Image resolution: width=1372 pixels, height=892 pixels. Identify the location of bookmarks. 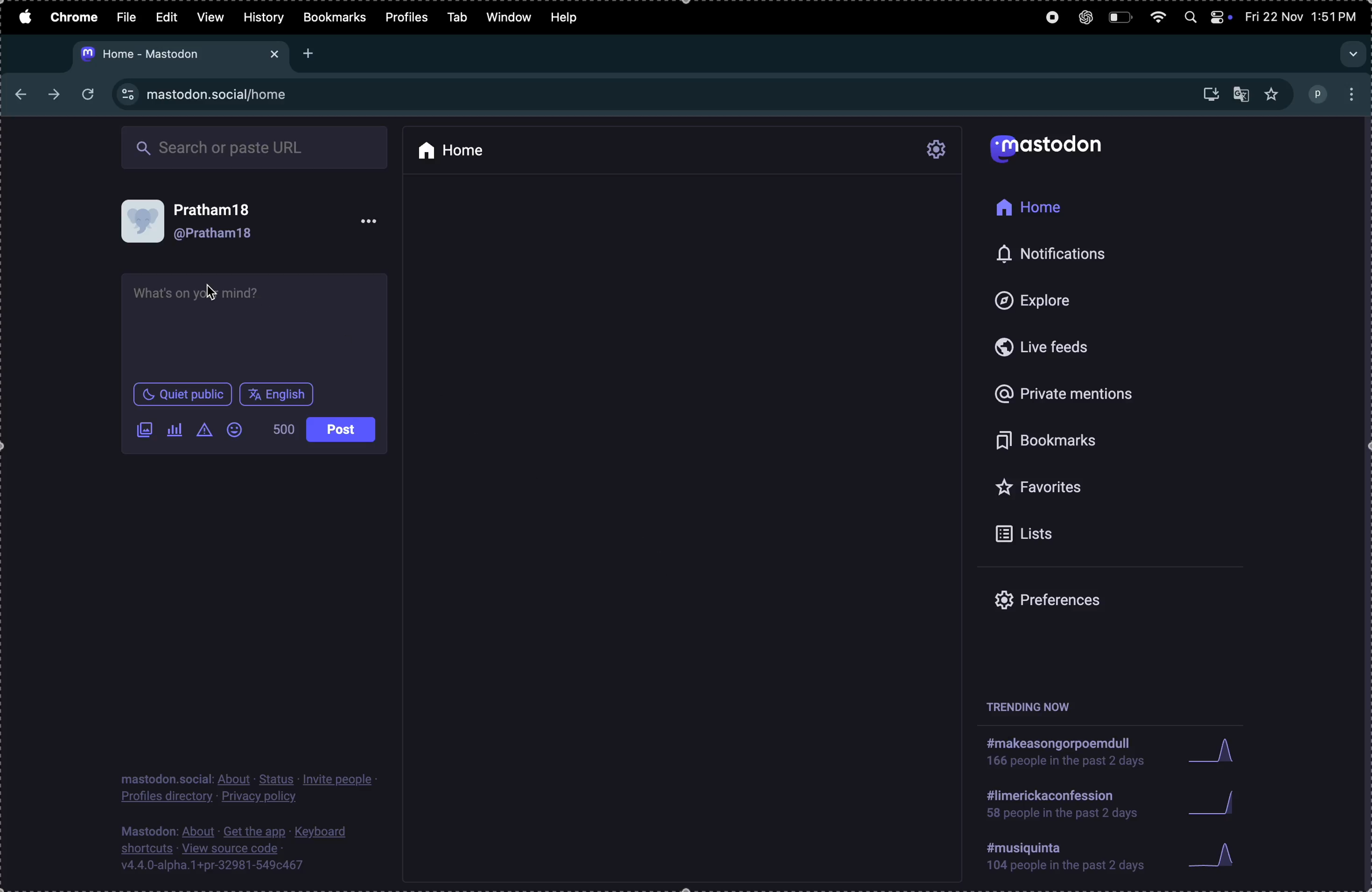
(337, 17).